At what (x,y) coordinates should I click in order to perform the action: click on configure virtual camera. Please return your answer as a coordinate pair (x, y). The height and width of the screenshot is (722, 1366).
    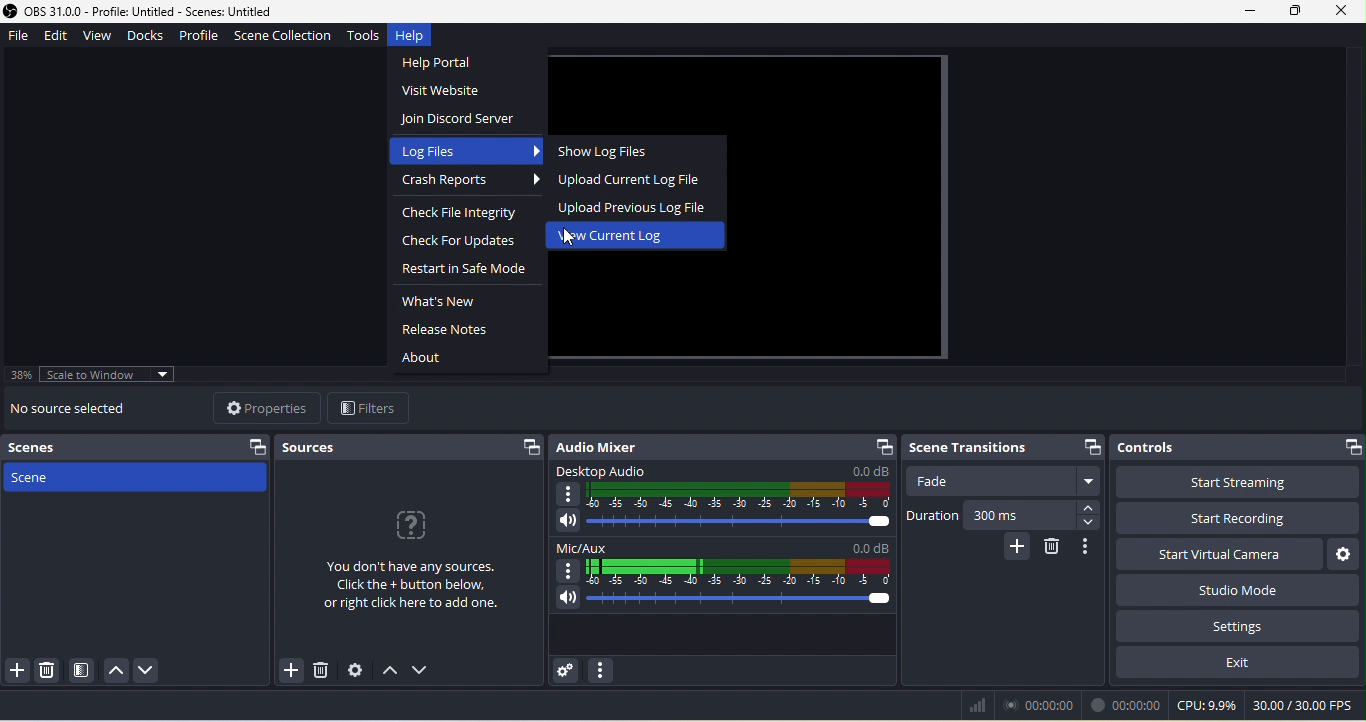
    Looking at the image, I should click on (1345, 553).